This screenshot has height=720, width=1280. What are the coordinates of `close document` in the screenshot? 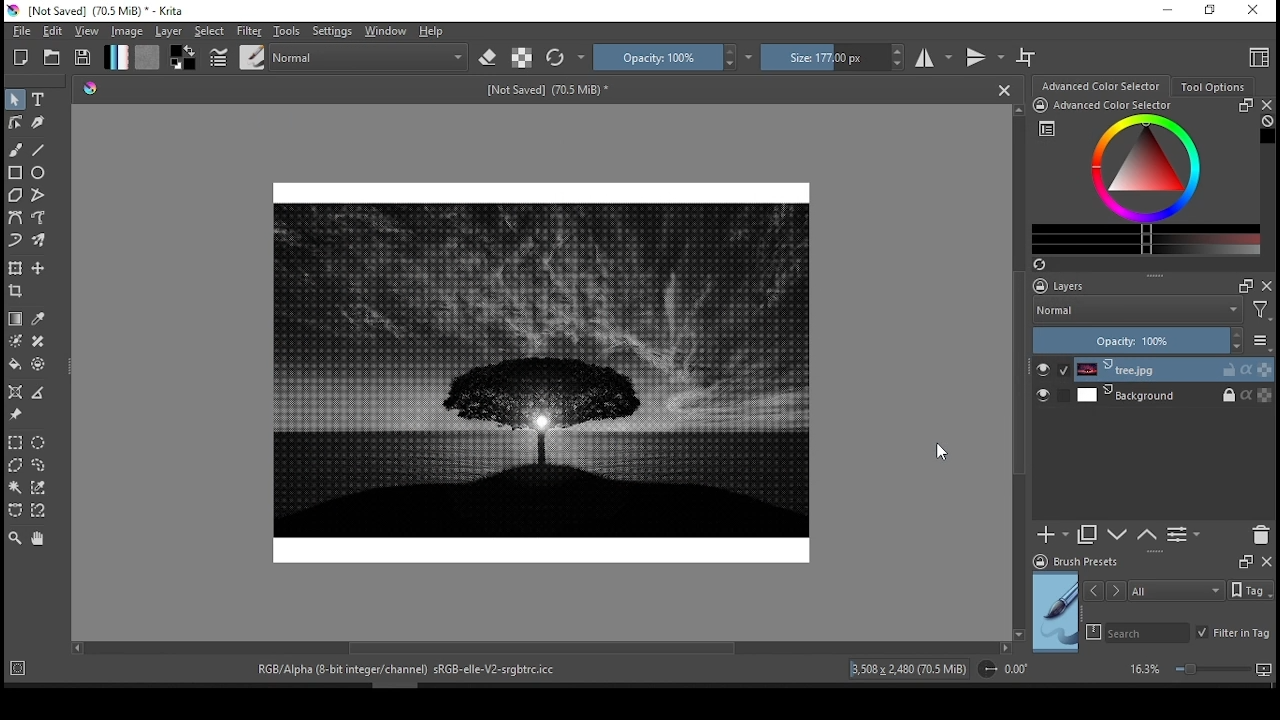 It's located at (1005, 89).